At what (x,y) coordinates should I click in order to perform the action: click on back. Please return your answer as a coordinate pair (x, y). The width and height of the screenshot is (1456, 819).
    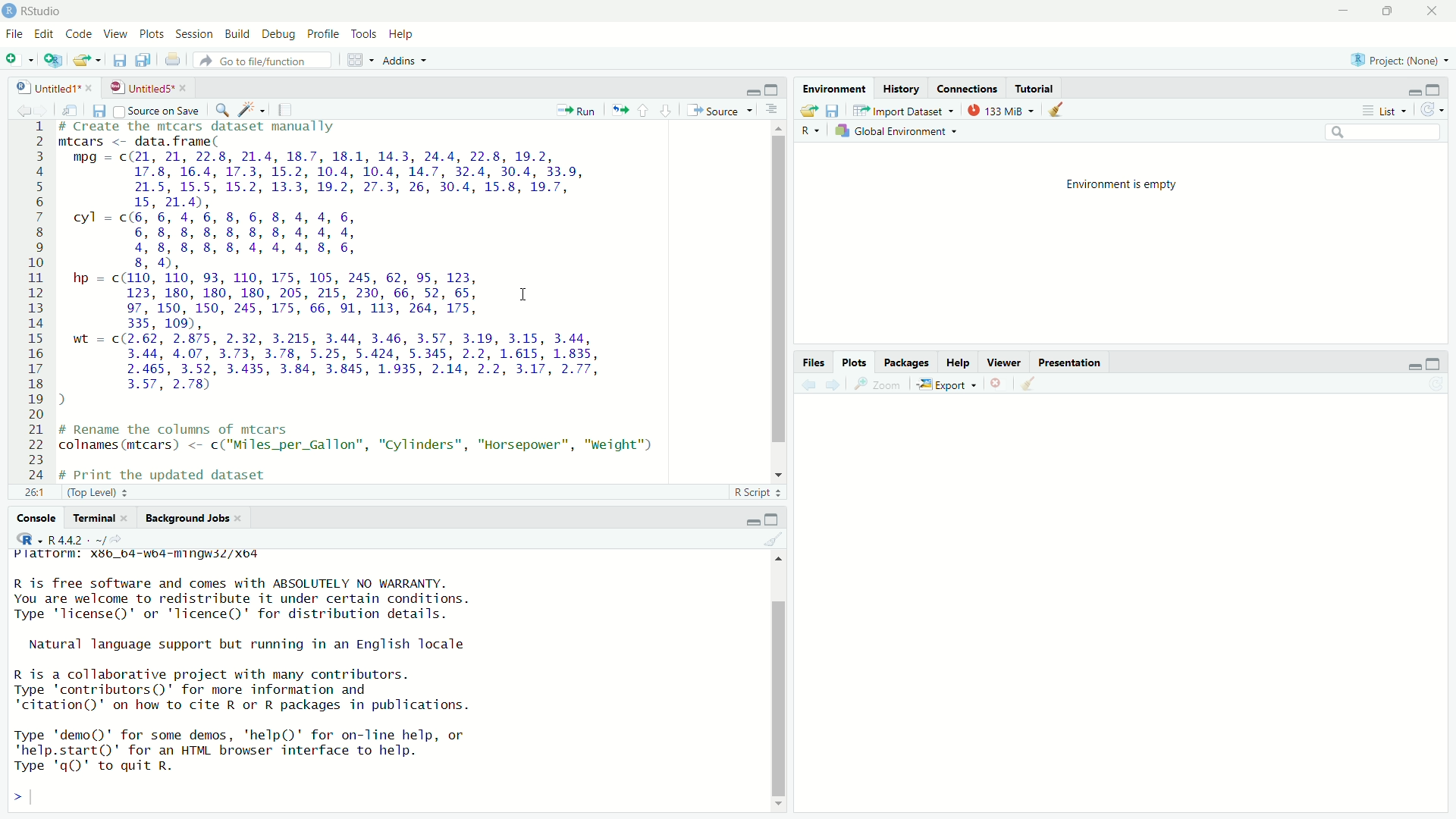
    Looking at the image, I should click on (17, 108).